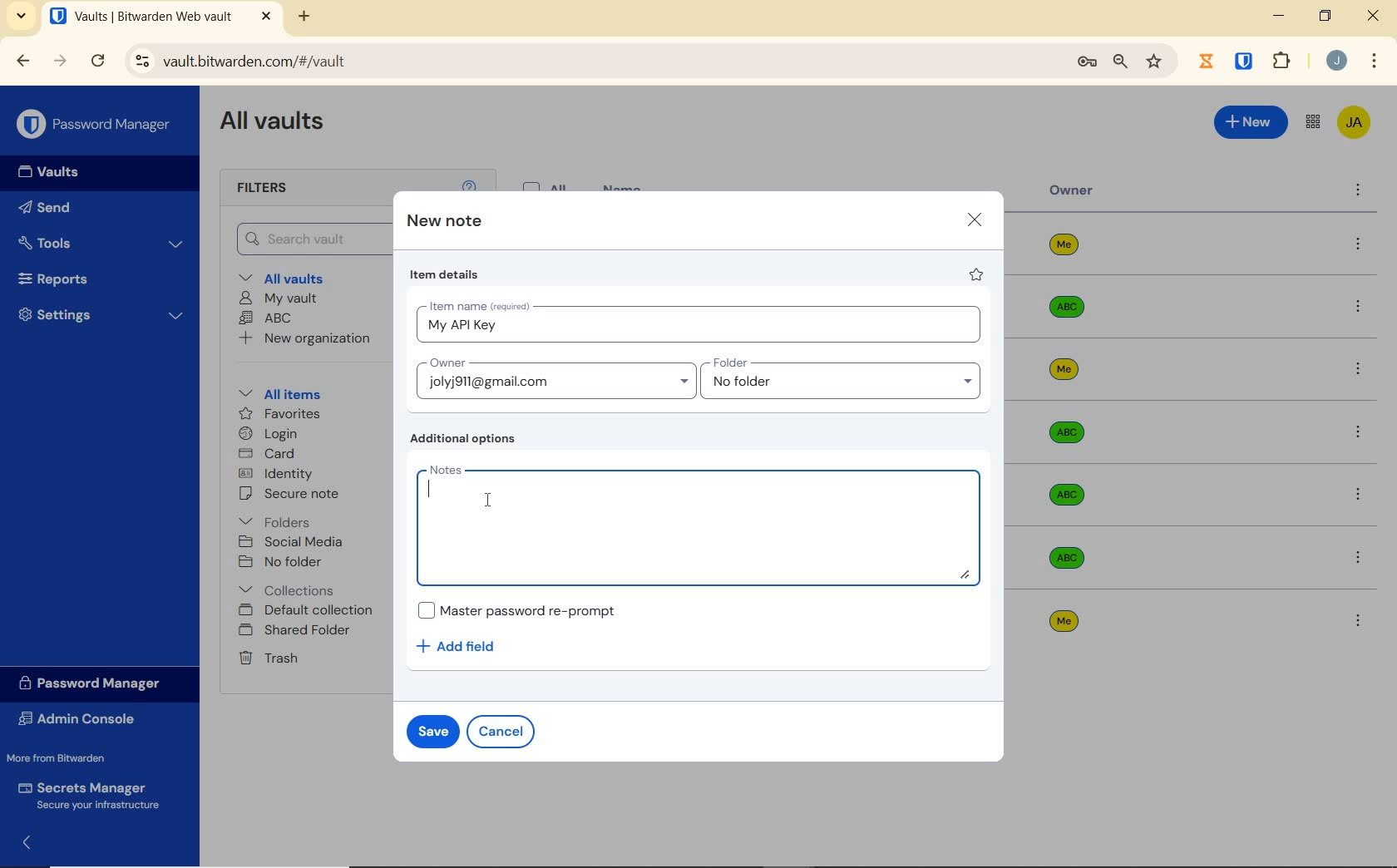 The width and height of the screenshot is (1397, 868). Describe the element at coordinates (1353, 121) in the screenshot. I see `Bitwarden Account` at that location.